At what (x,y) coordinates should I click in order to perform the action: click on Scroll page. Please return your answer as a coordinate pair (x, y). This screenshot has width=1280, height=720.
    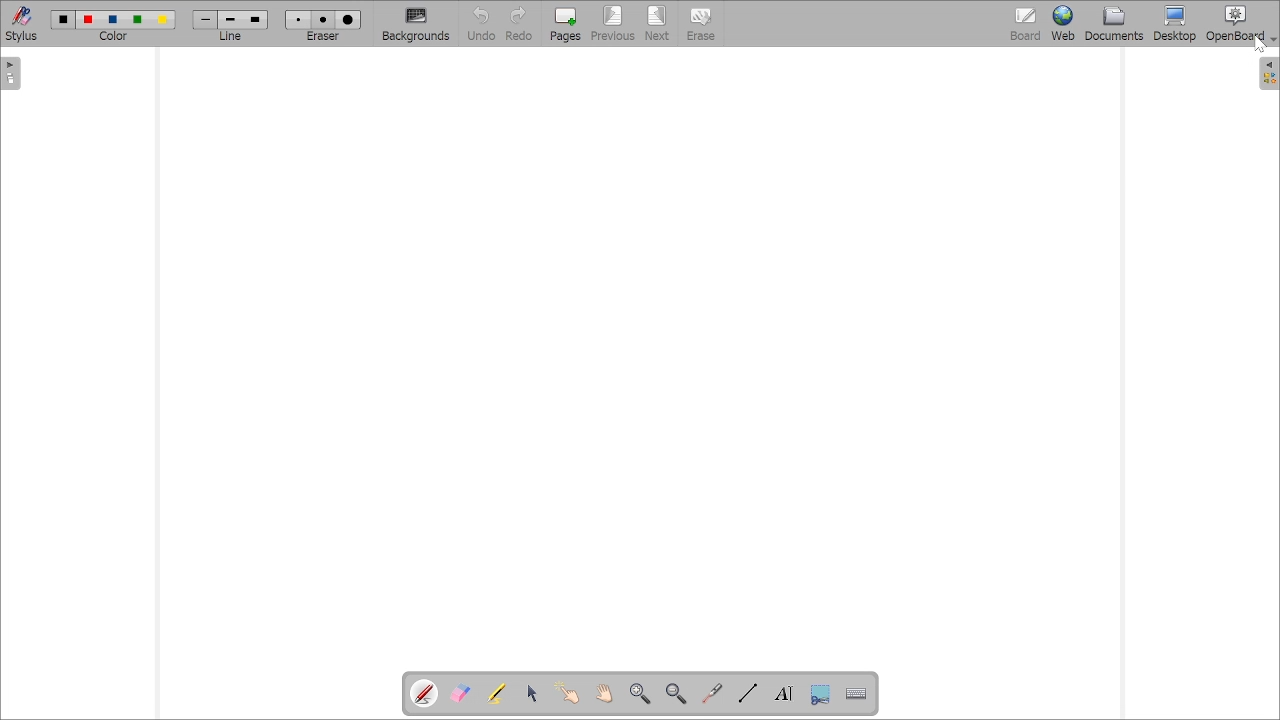
    Looking at the image, I should click on (603, 694).